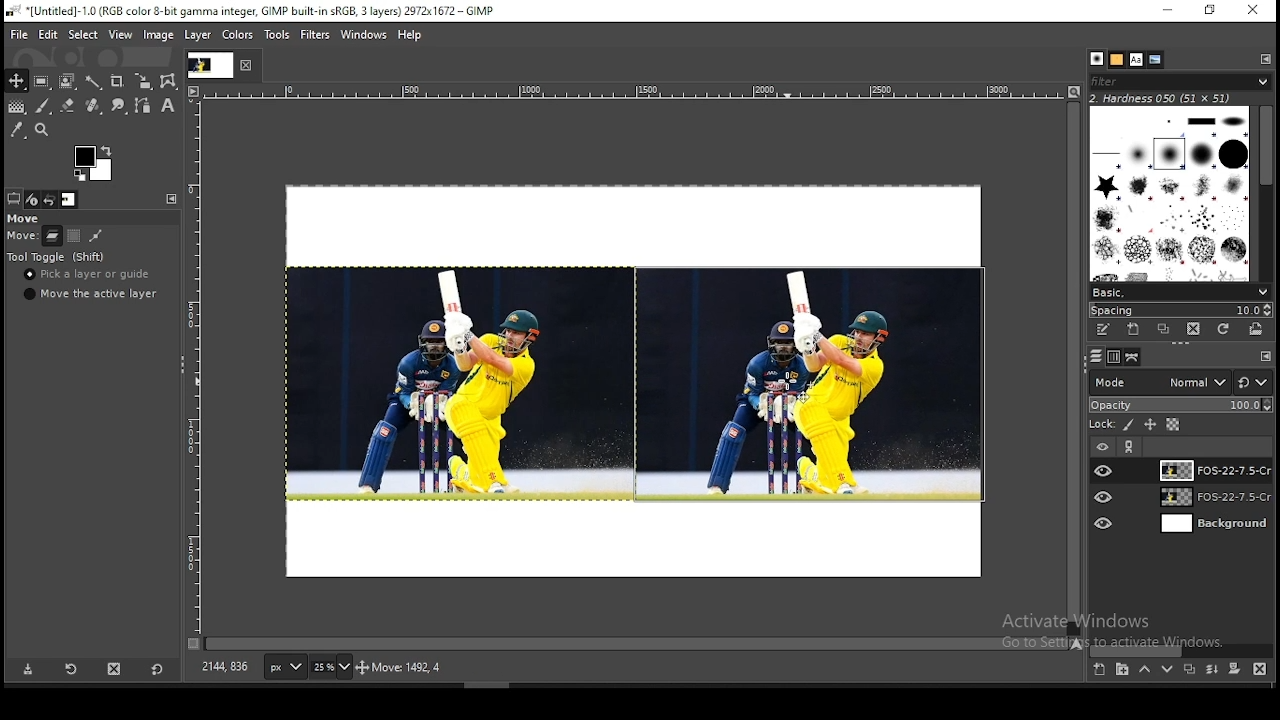 This screenshot has height=720, width=1280. What do you see at coordinates (1164, 329) in the screenshot?
I see `duplicate brush` at bounding box center [1164, 329].